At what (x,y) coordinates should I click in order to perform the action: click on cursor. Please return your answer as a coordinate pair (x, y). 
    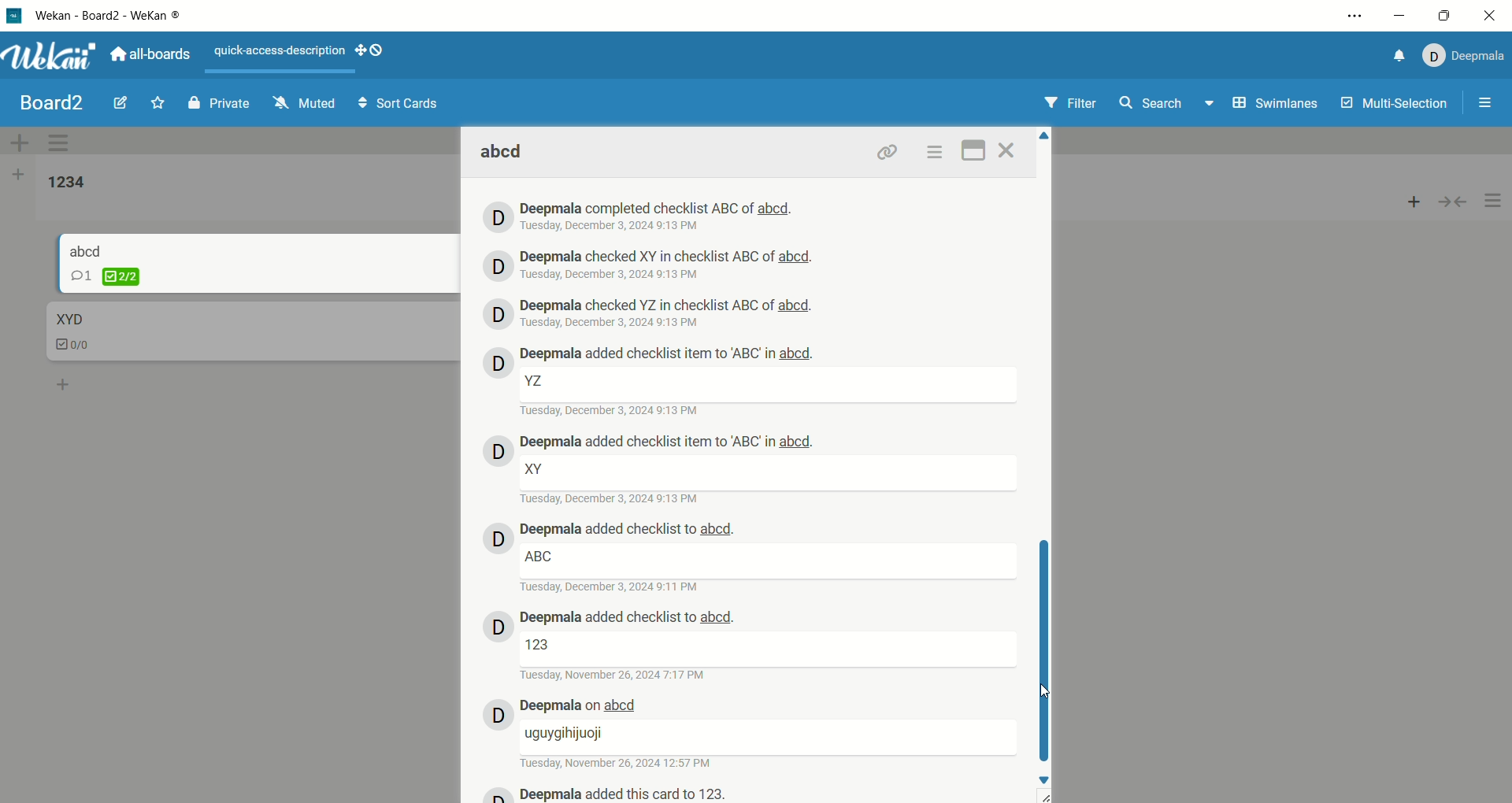
    Looking at the image, I should click on (1047, 694).